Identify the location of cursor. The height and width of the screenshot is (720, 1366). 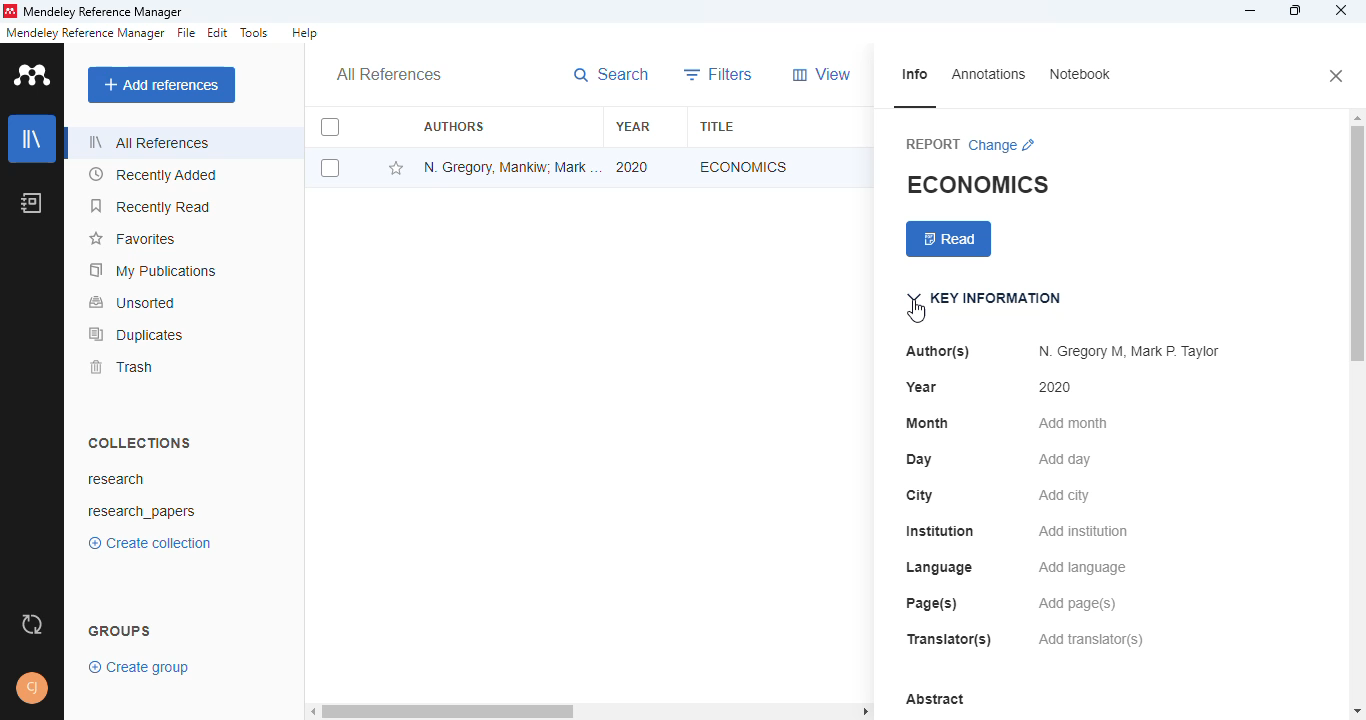
(916, 313).